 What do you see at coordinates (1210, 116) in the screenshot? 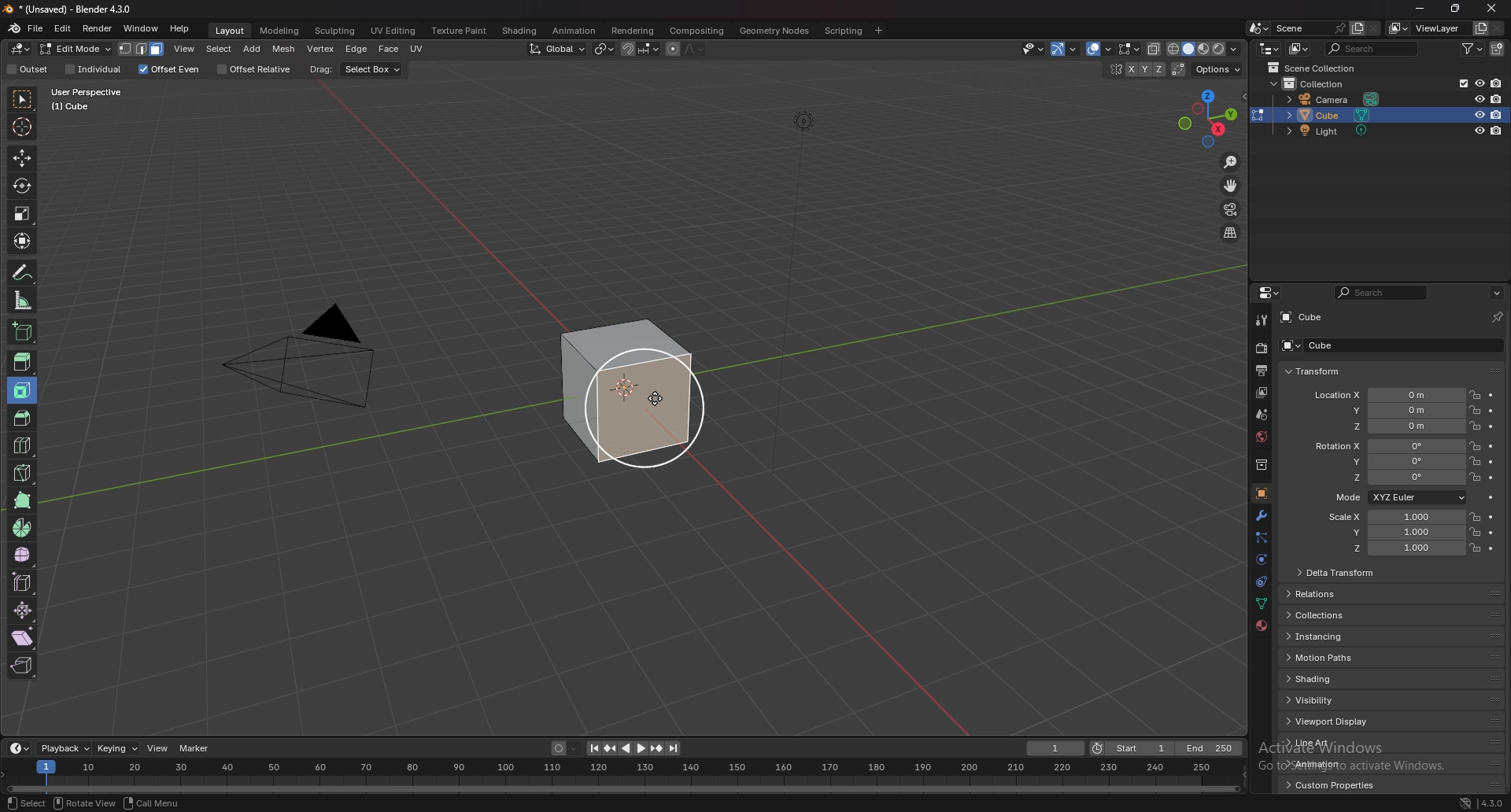
I see `use a preset viewpoint` at bounding box center [1210, 116].